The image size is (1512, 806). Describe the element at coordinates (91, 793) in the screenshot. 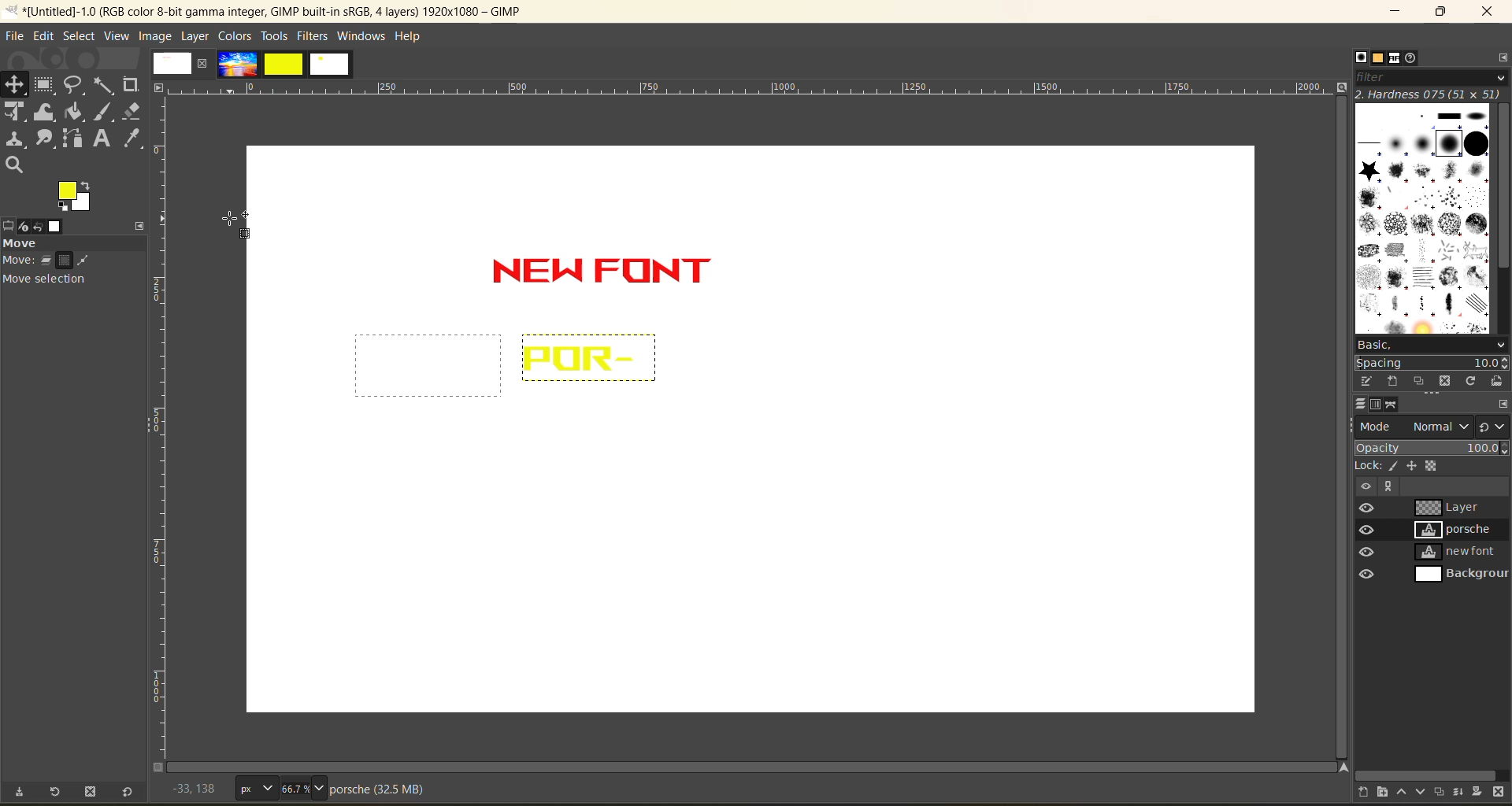

I see `delete tool preset` at that location.